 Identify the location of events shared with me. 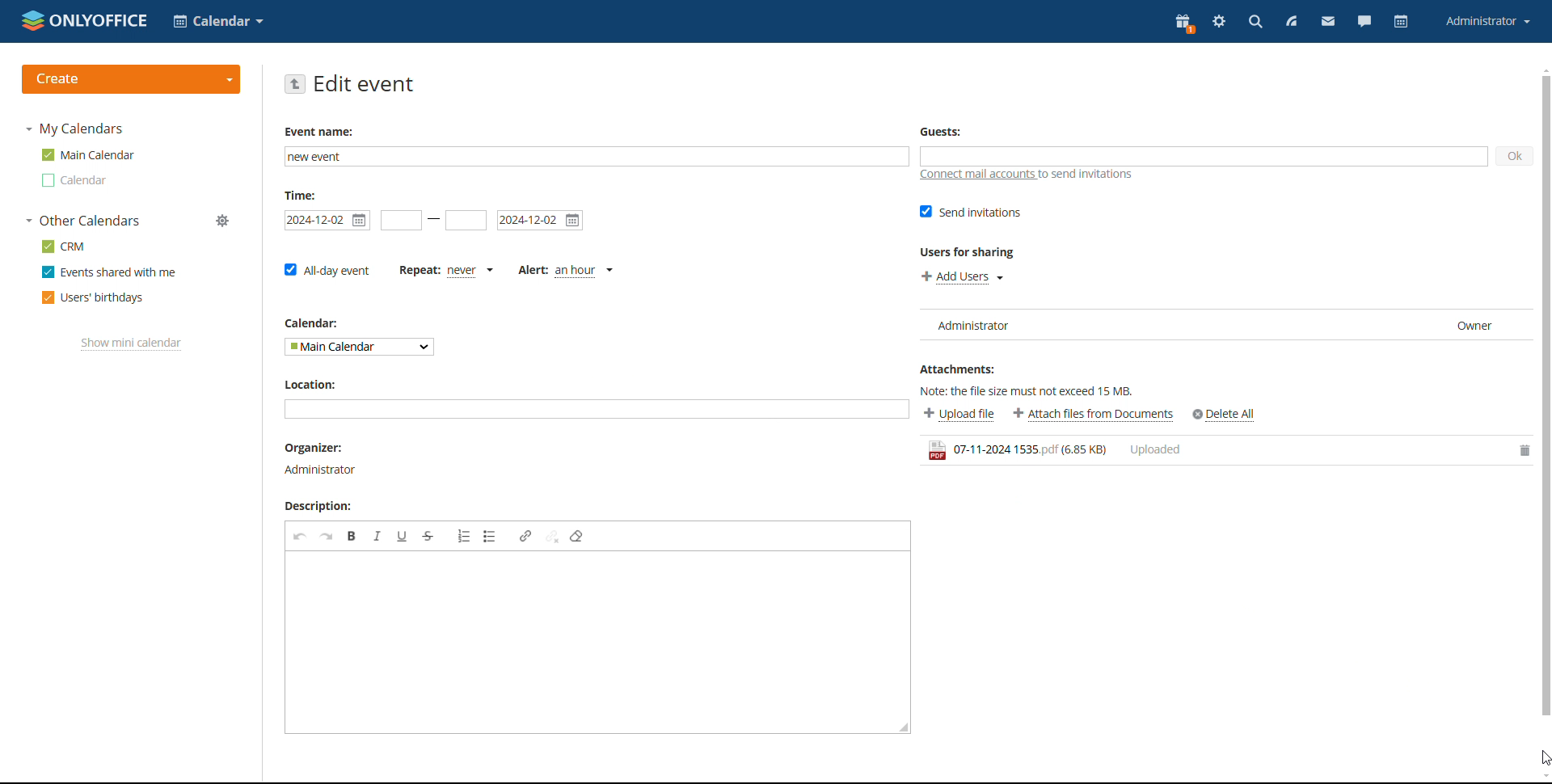
(108, 272).